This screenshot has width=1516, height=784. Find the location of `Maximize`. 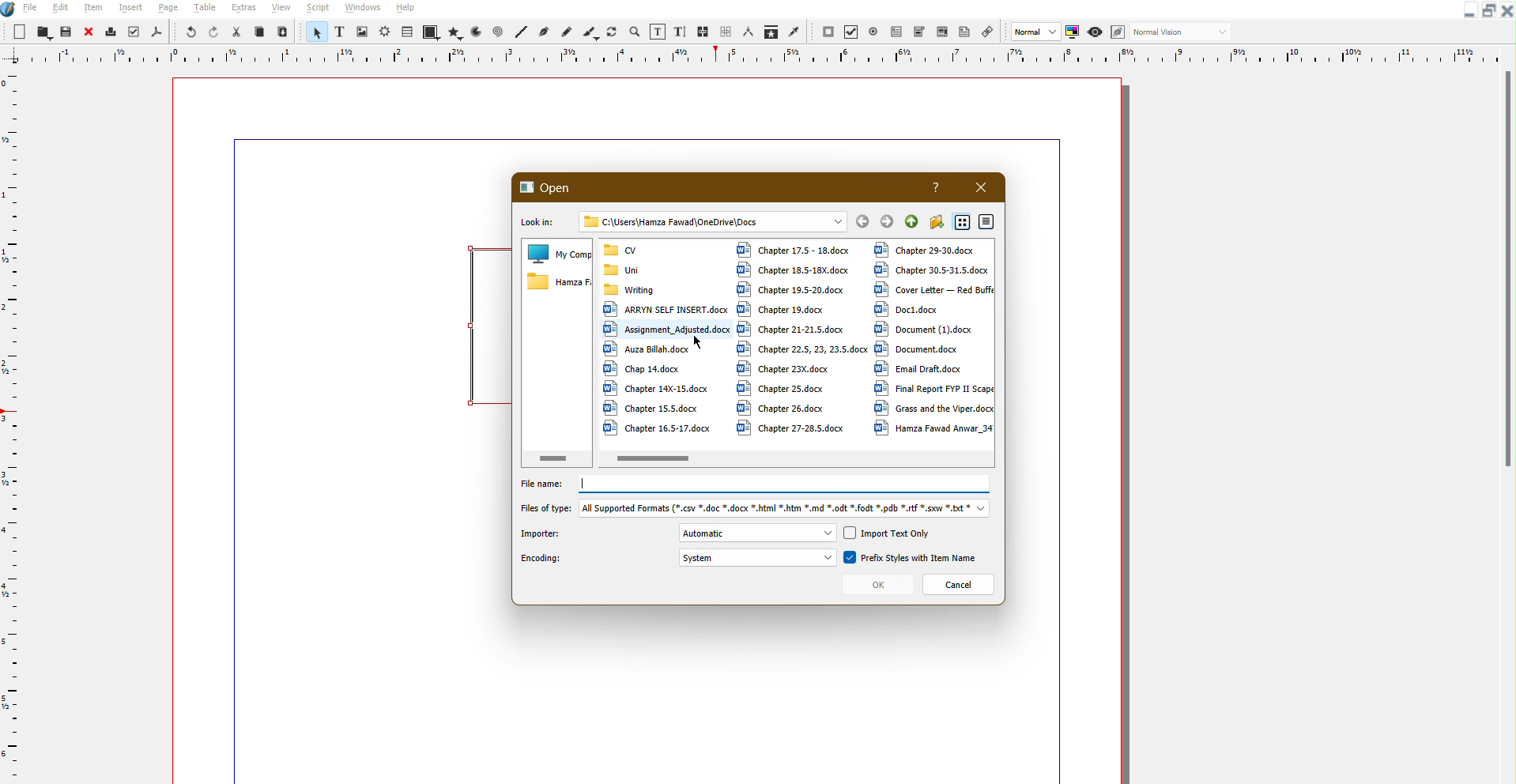

Maximize is located at coordinates (1486, 10).